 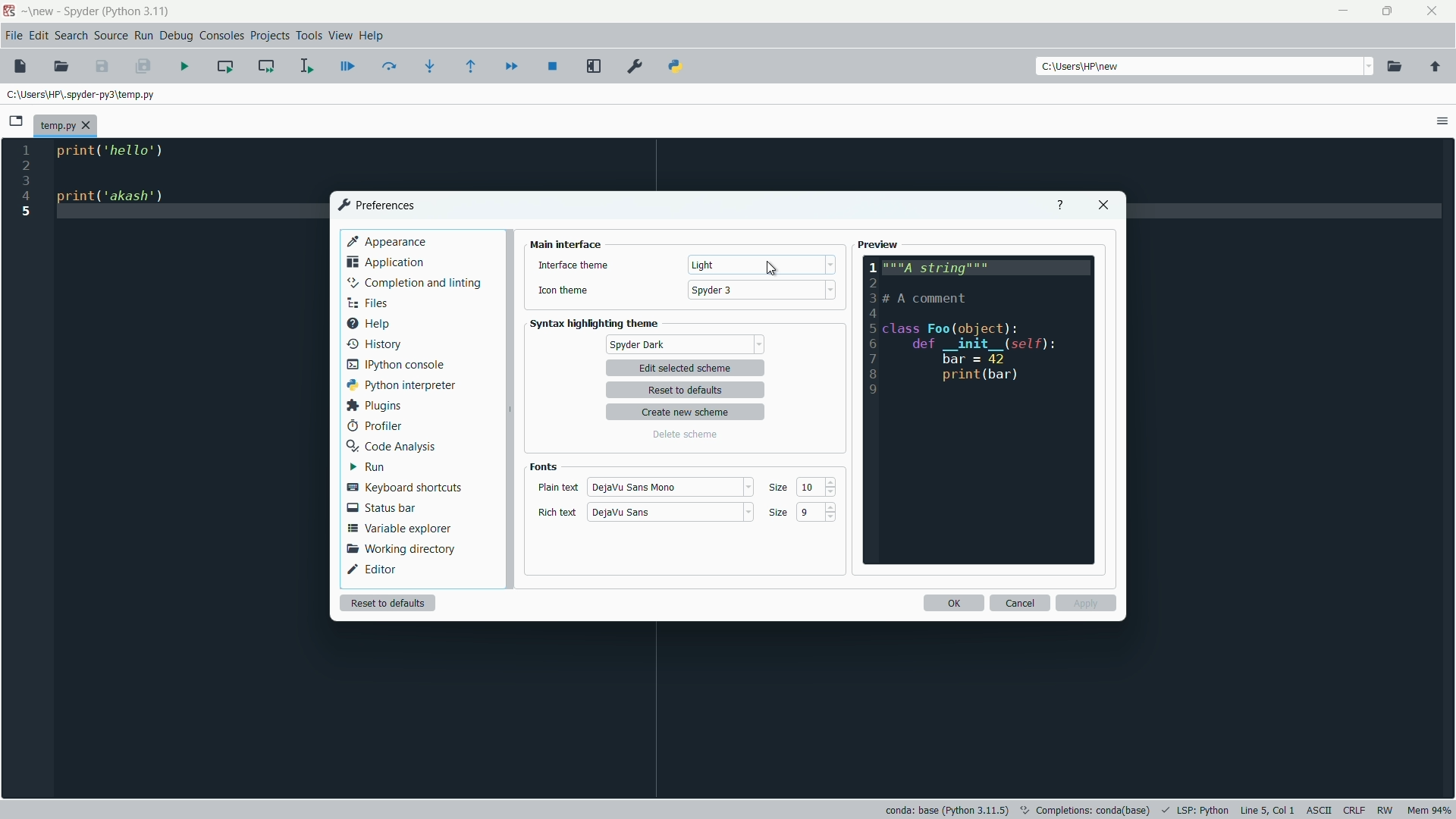 What do you see at coordinates (1087, 808) in the screenshot?
I see `text` at bounding box center [1087, 808].